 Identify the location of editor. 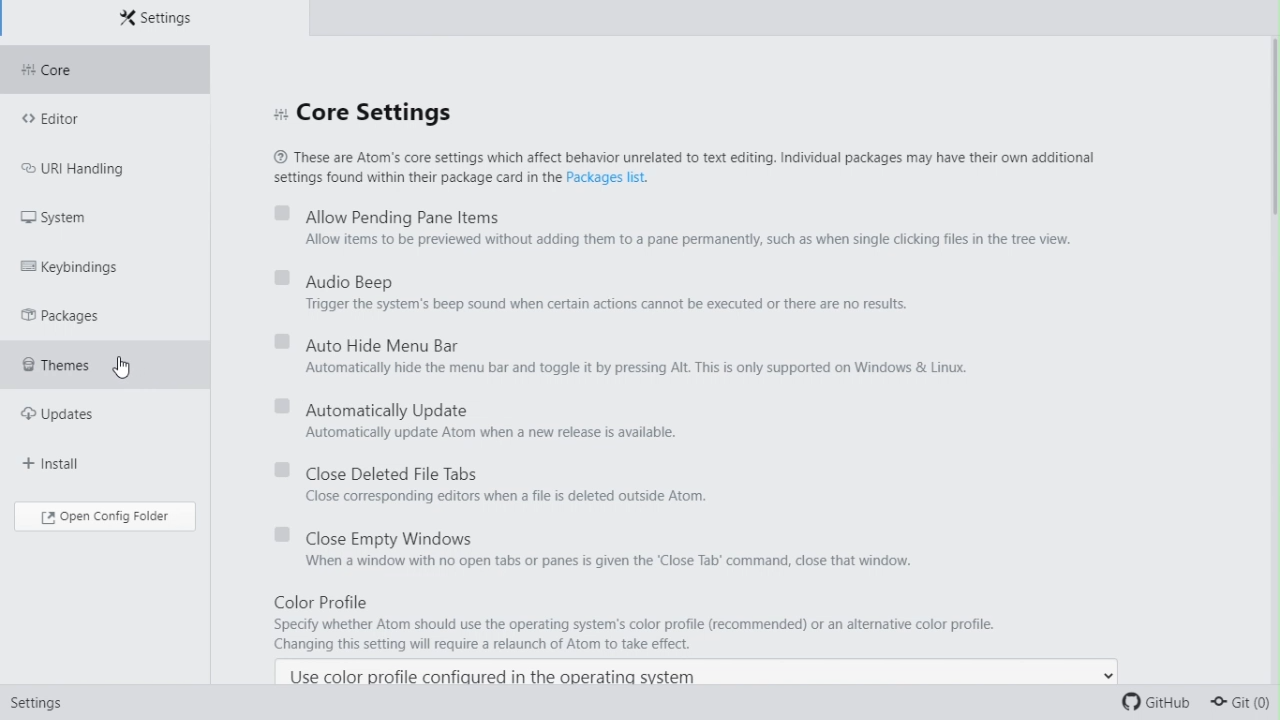
(75, 122).